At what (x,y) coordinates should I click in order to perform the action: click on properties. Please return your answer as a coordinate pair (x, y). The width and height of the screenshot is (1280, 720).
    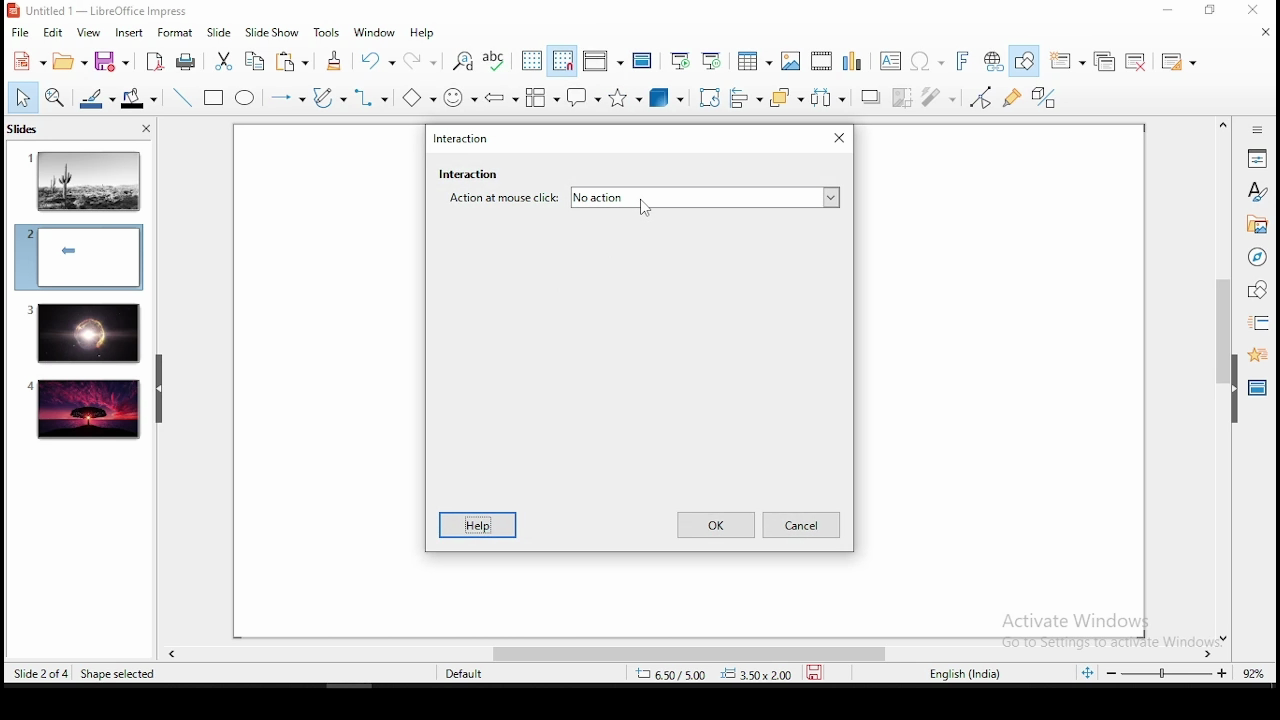
    Looking at the image, I should click on (1257, 157).